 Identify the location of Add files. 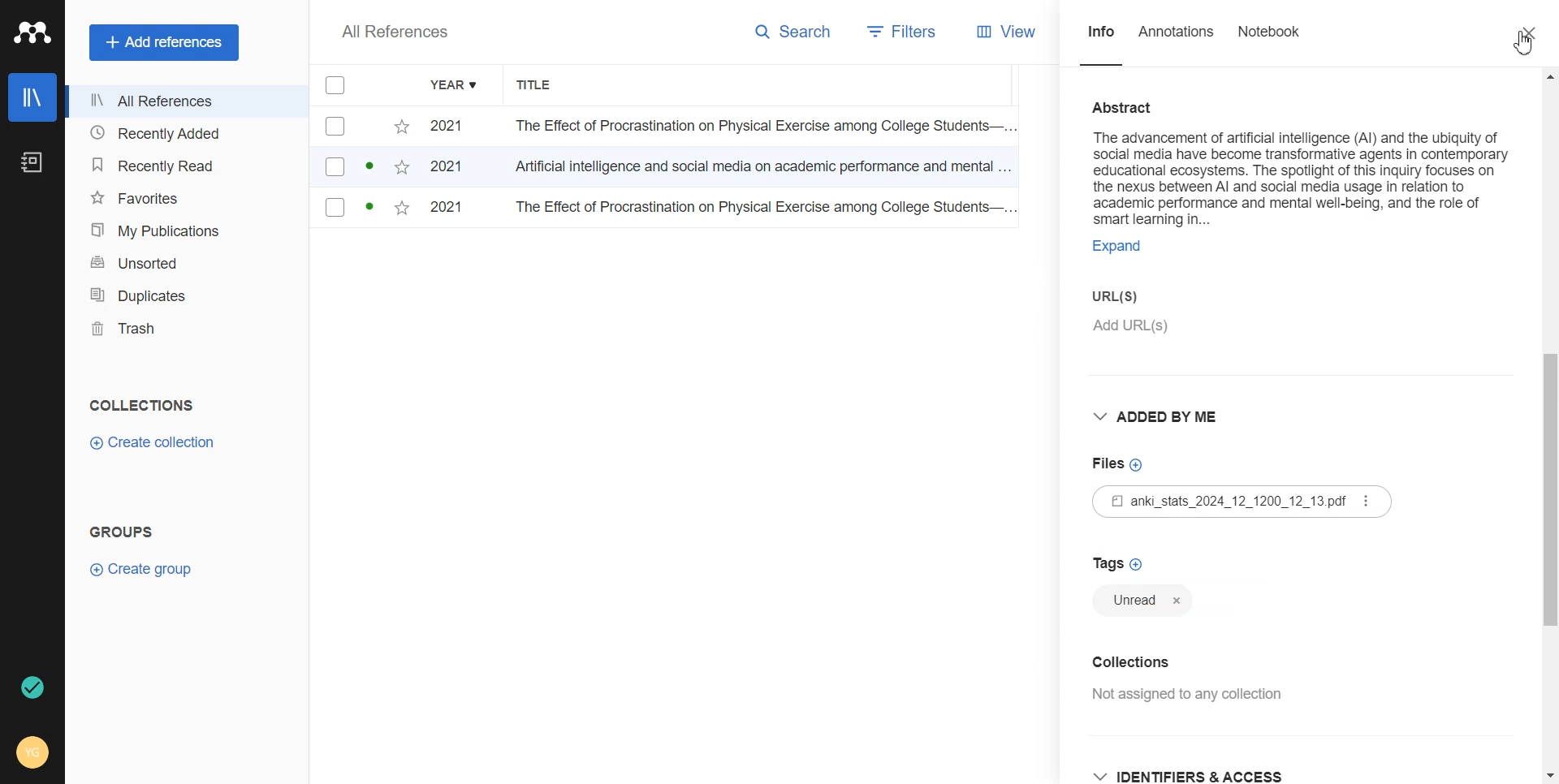
(1121, 463).